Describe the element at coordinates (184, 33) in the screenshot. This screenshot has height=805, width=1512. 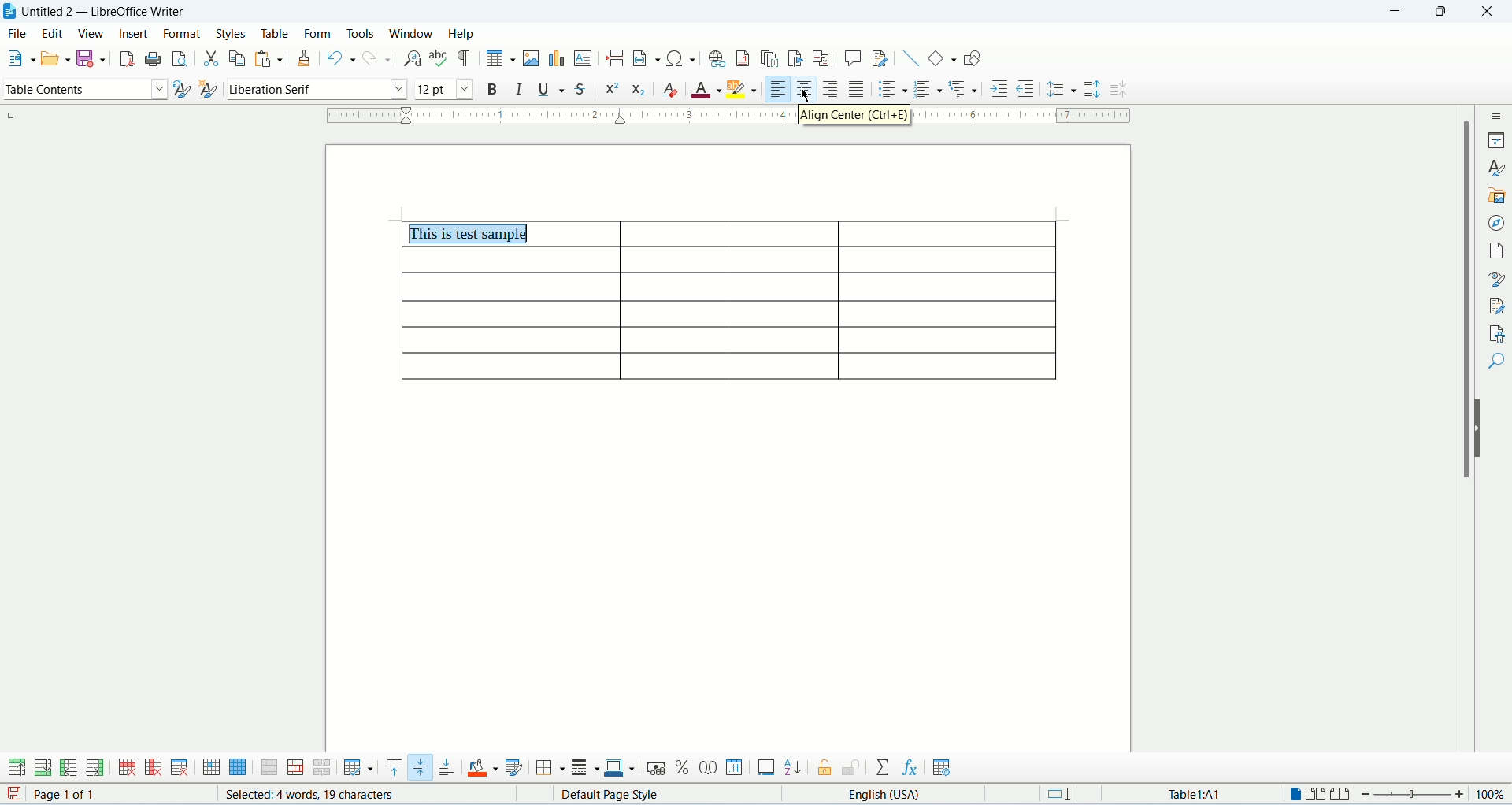
I see `format` at that location.